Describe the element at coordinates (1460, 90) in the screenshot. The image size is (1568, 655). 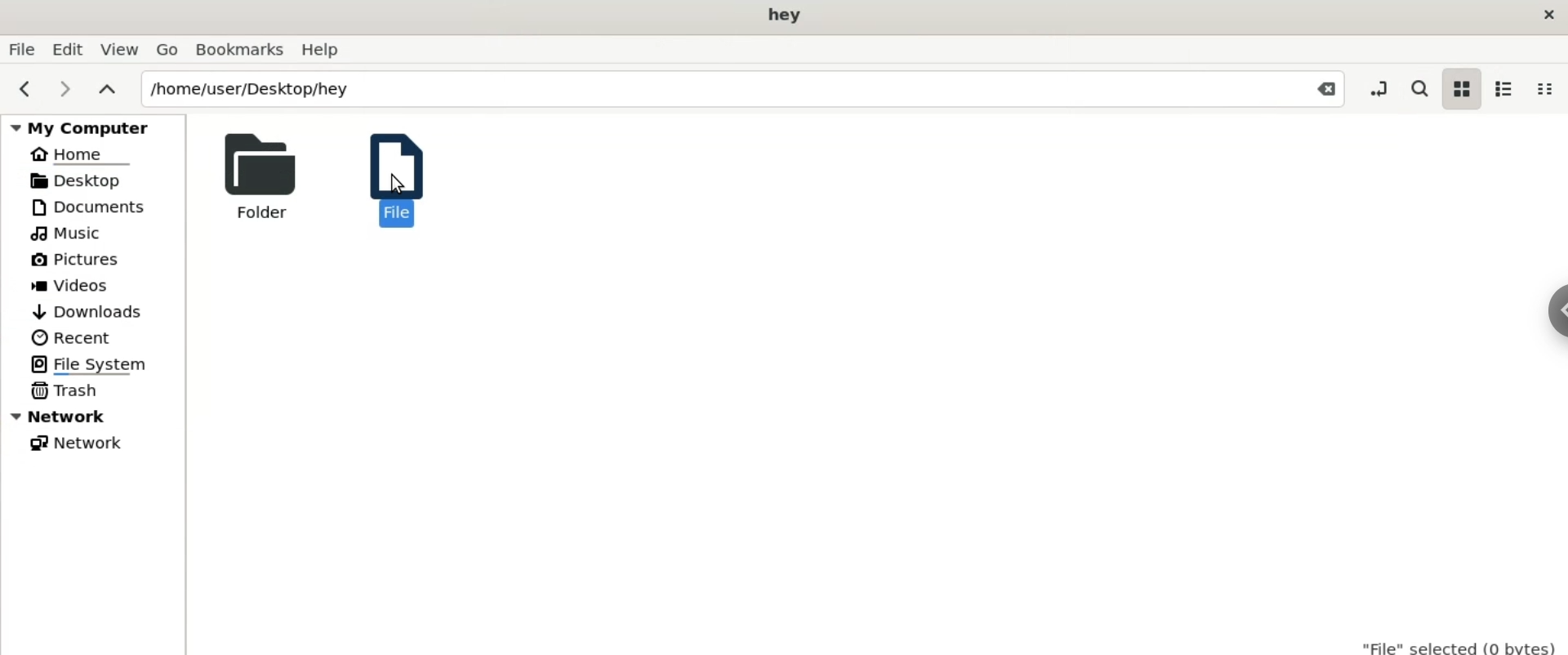
I see `icon view` at that location.